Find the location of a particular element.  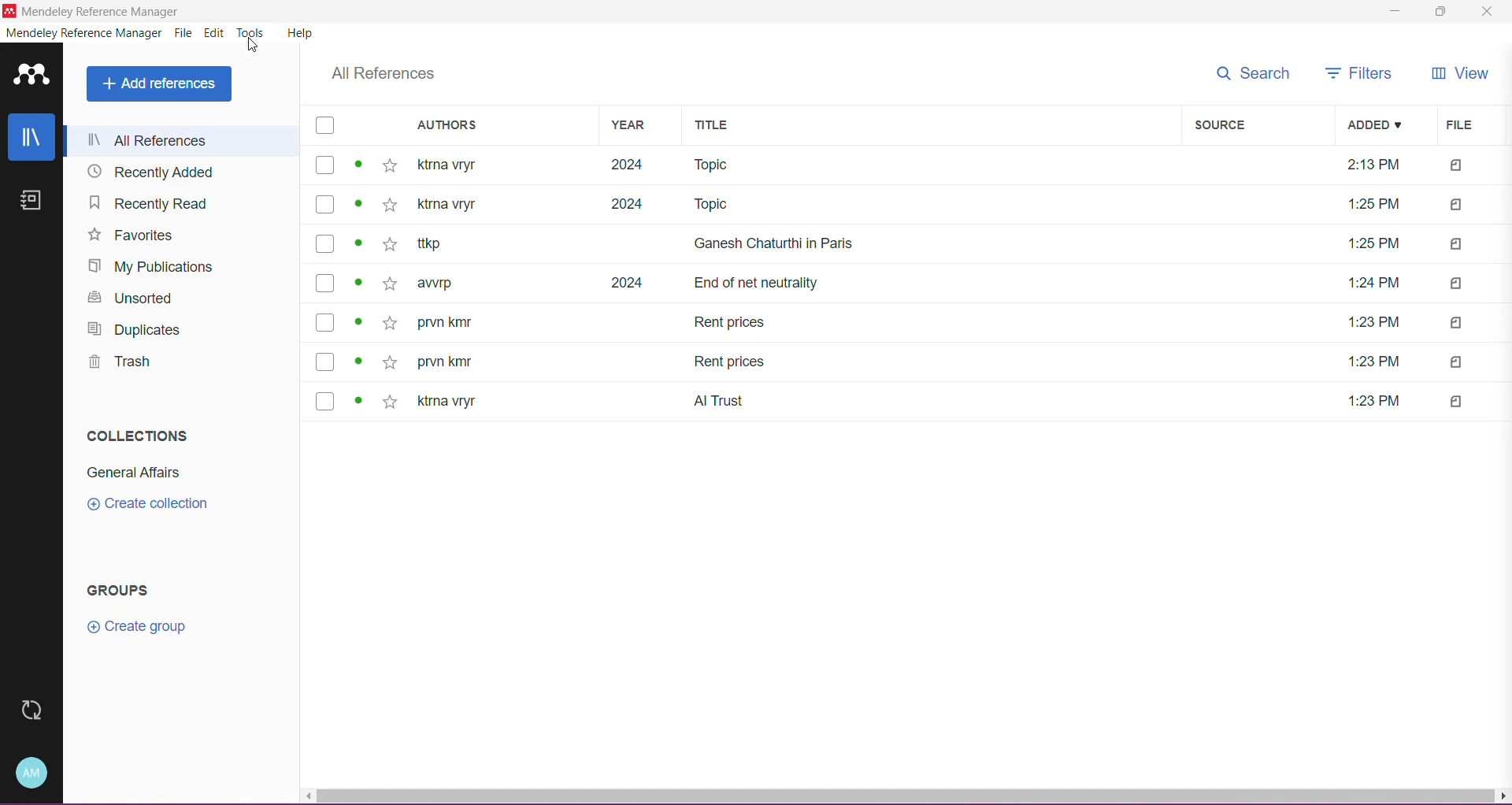

Recently Added is located at coordinates (153, 172).